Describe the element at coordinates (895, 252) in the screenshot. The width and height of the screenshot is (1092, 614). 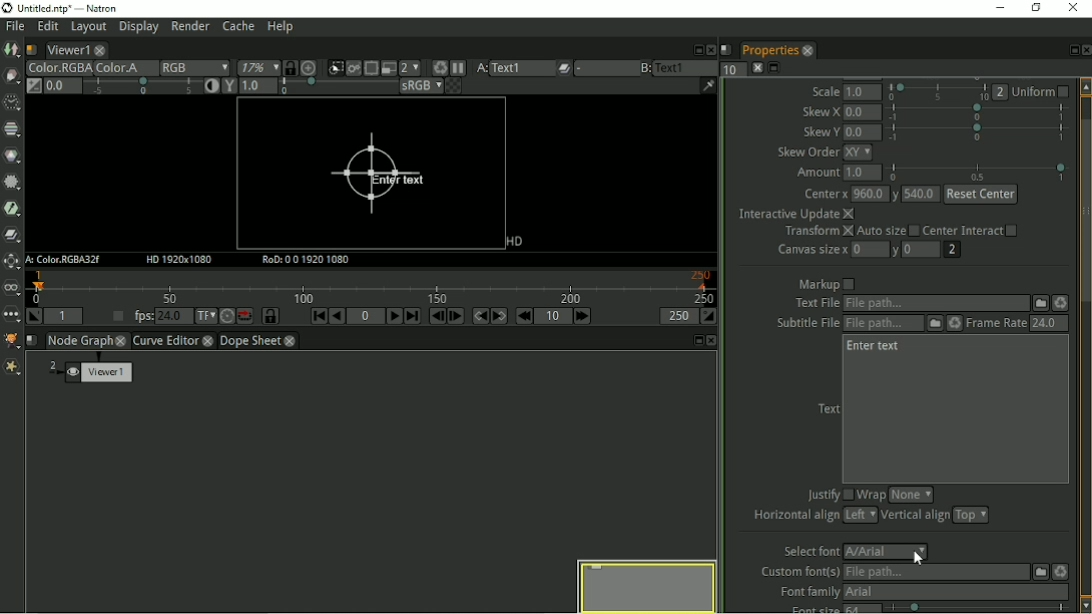
I see `y` at that location.